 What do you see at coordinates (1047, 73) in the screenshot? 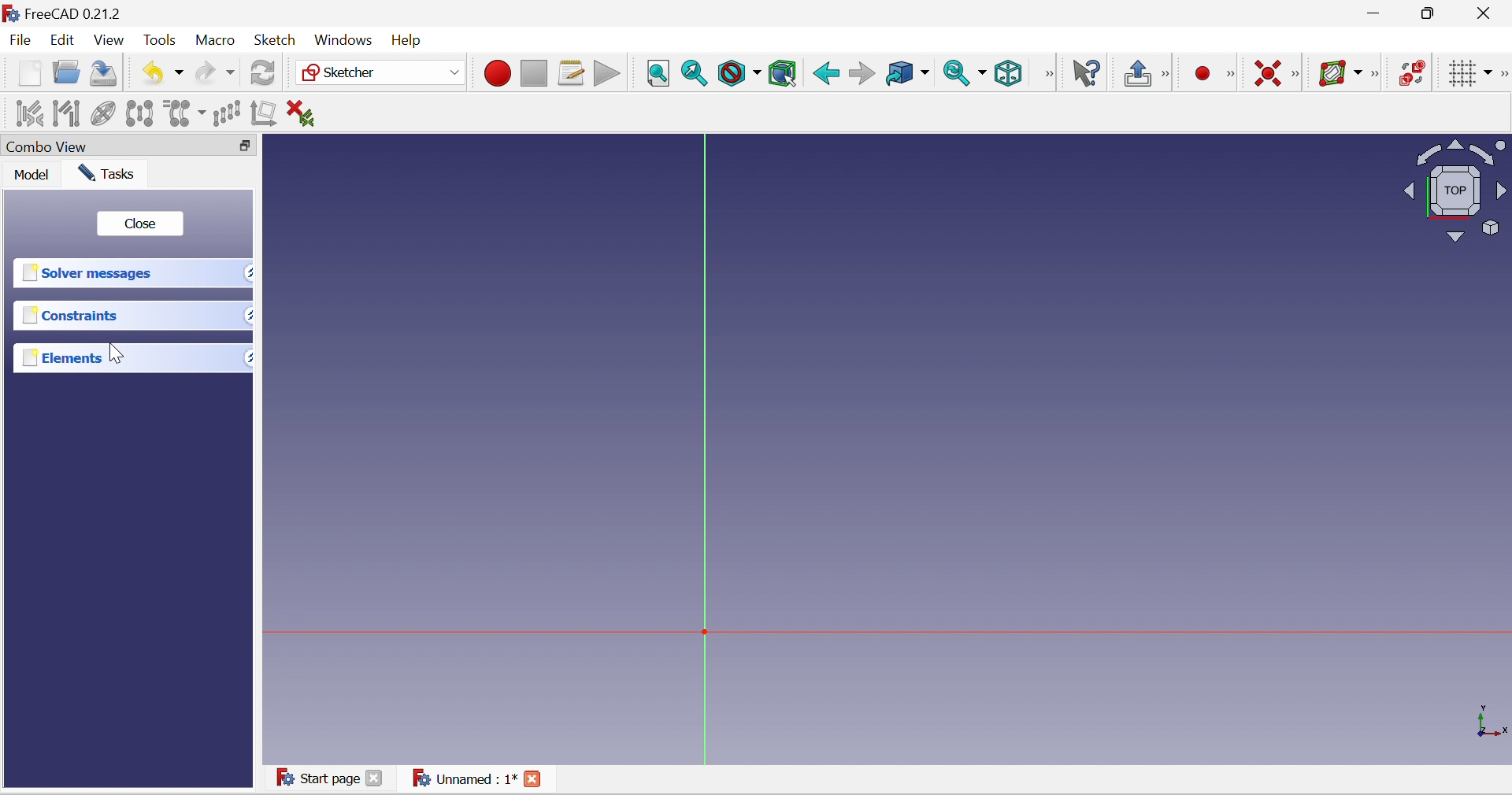
I see `View` at bounding box center [1047, 73].